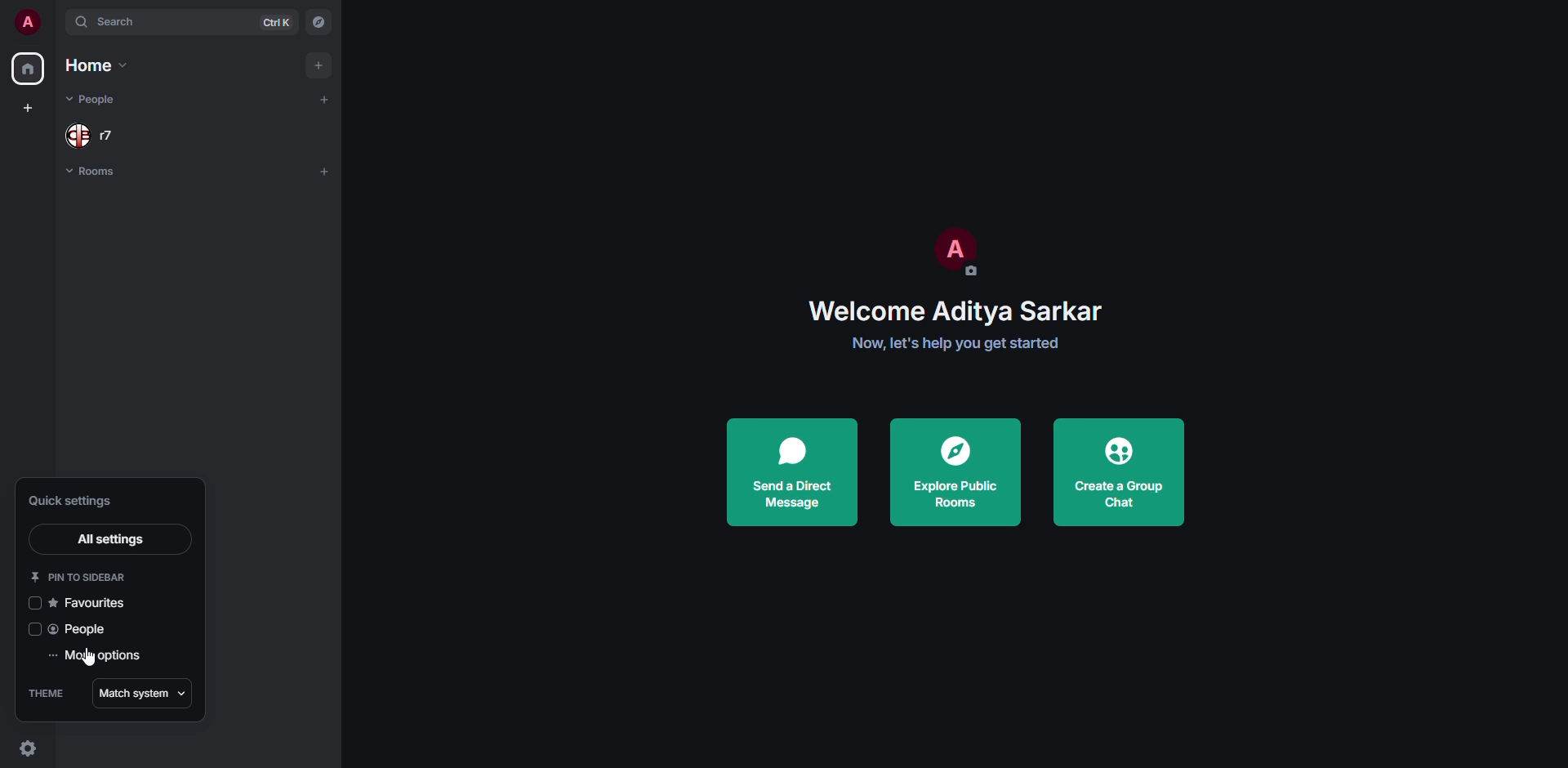 Image resolution: width=1568 pixels, height=768 pixels. Describe the element at coordinates (91, 175) in the screenshot. I see `rooms` at that location.